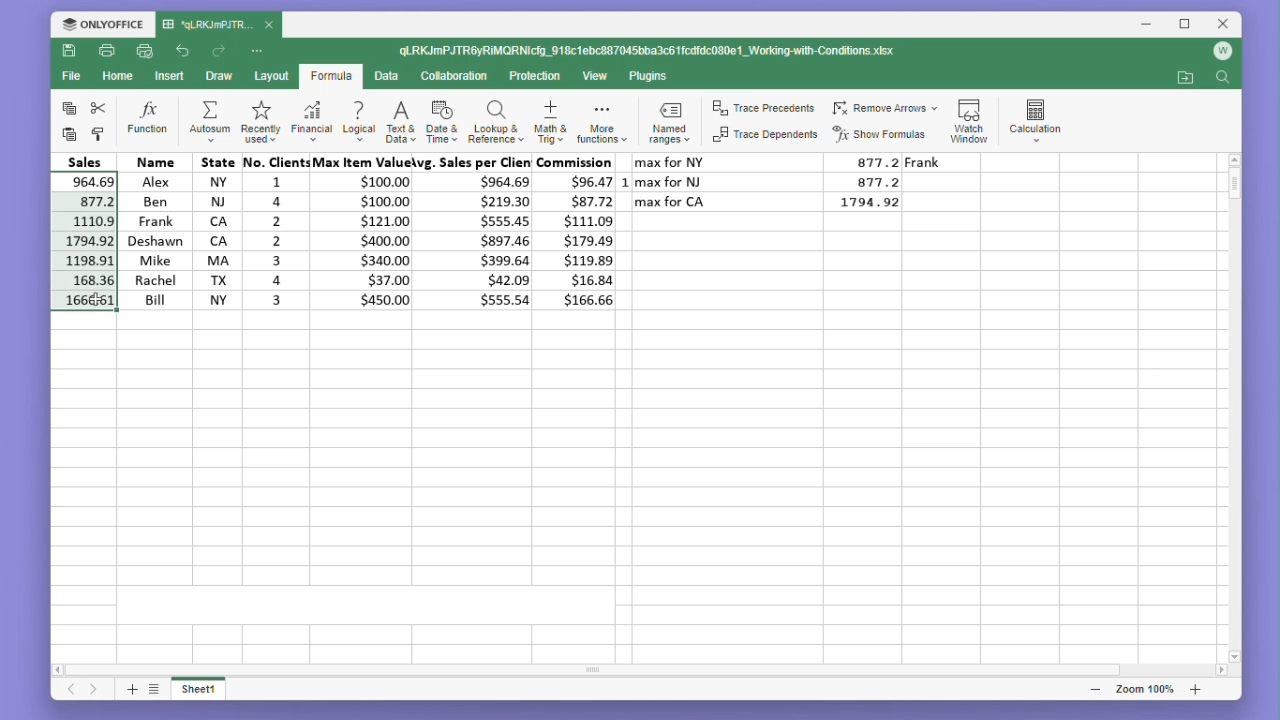 The height and width of the screenshot is (720, 1280). I want to click on max for NJ 877.2, so click(770, 181).